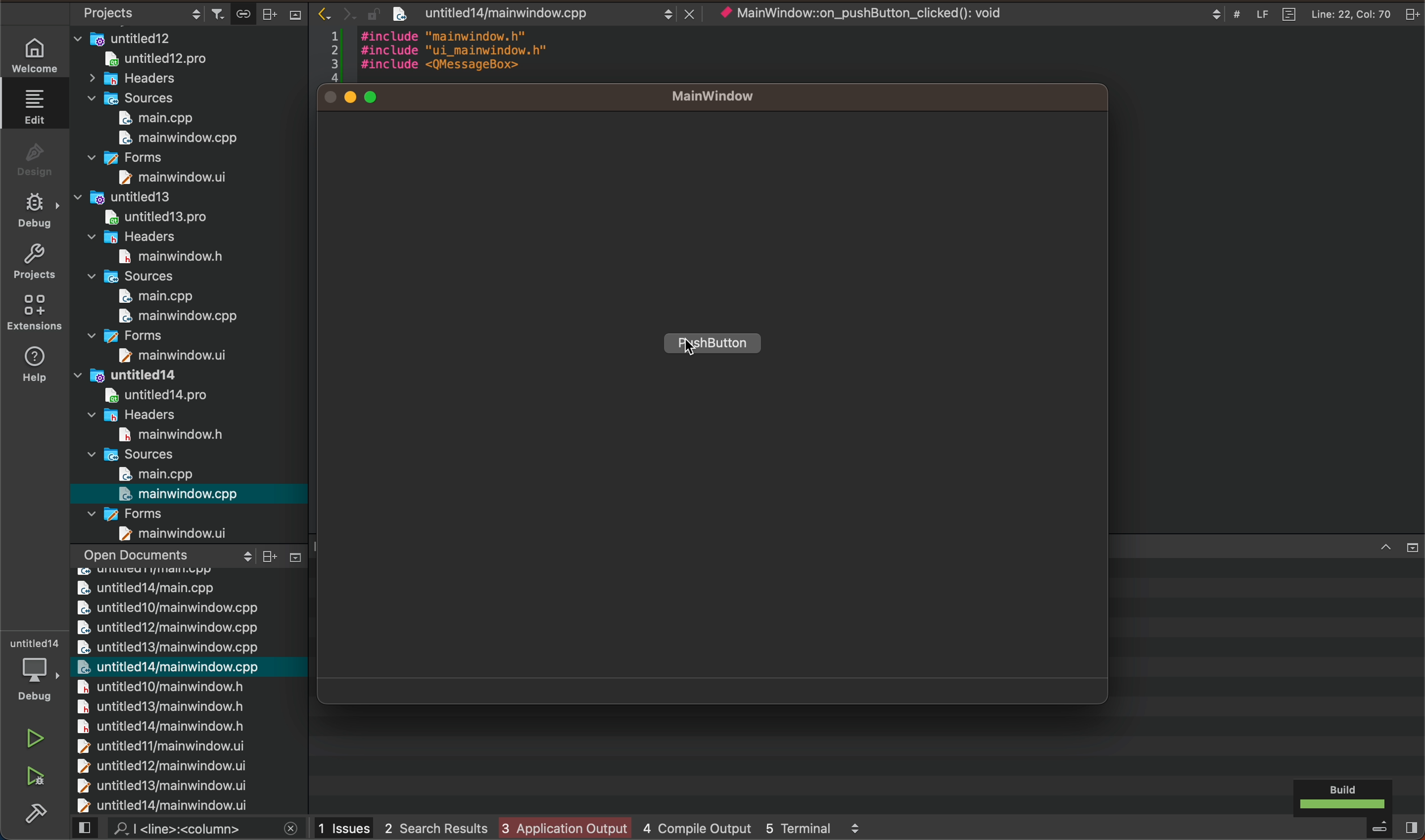  Describe the element at coordinates (166, 357) in the screenshot. I see `main window` at that location.